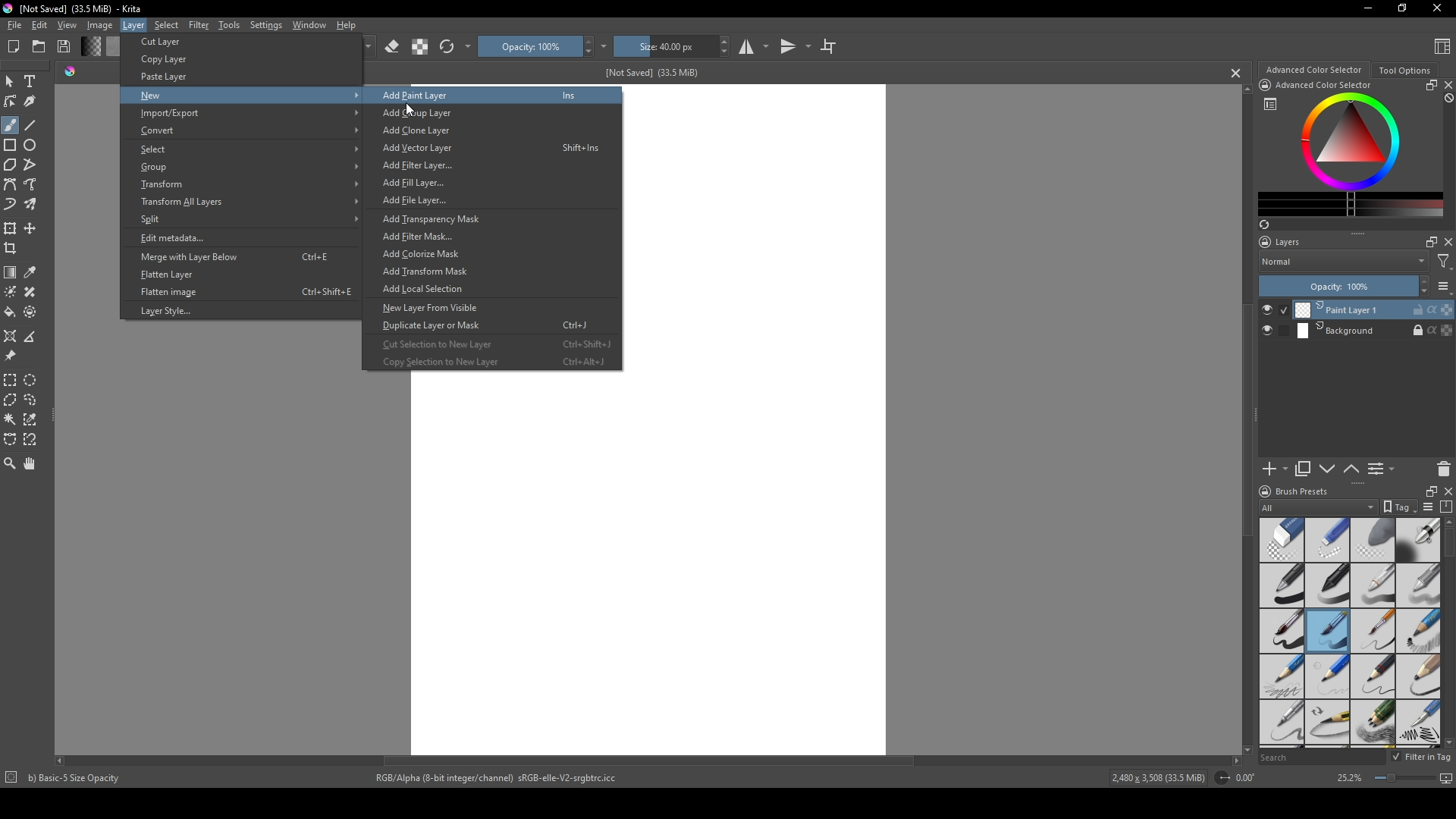 The width and height of the screenshot is (1456, 819). Describe the element at coordinates (1419, 632) in the screenshot. I see `pencil` at that location.